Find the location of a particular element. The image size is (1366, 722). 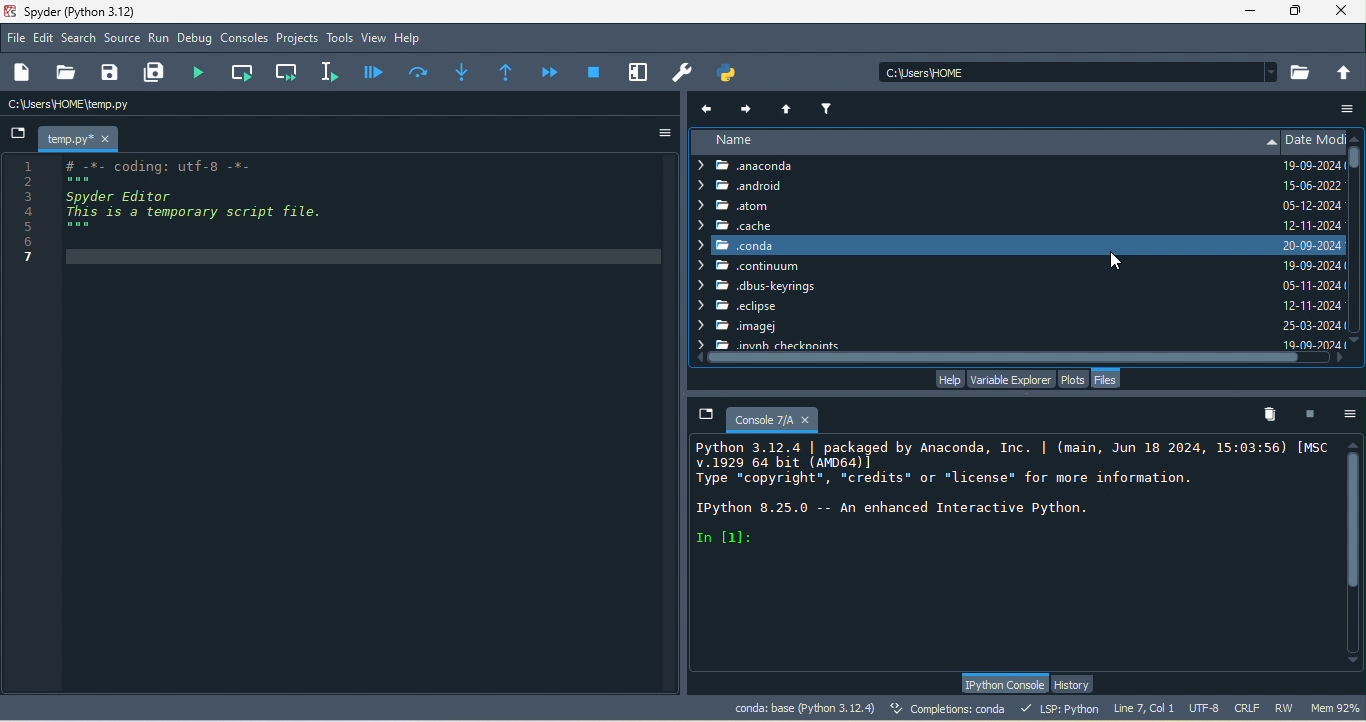

execute current line  is located at coordinates (420, 71).